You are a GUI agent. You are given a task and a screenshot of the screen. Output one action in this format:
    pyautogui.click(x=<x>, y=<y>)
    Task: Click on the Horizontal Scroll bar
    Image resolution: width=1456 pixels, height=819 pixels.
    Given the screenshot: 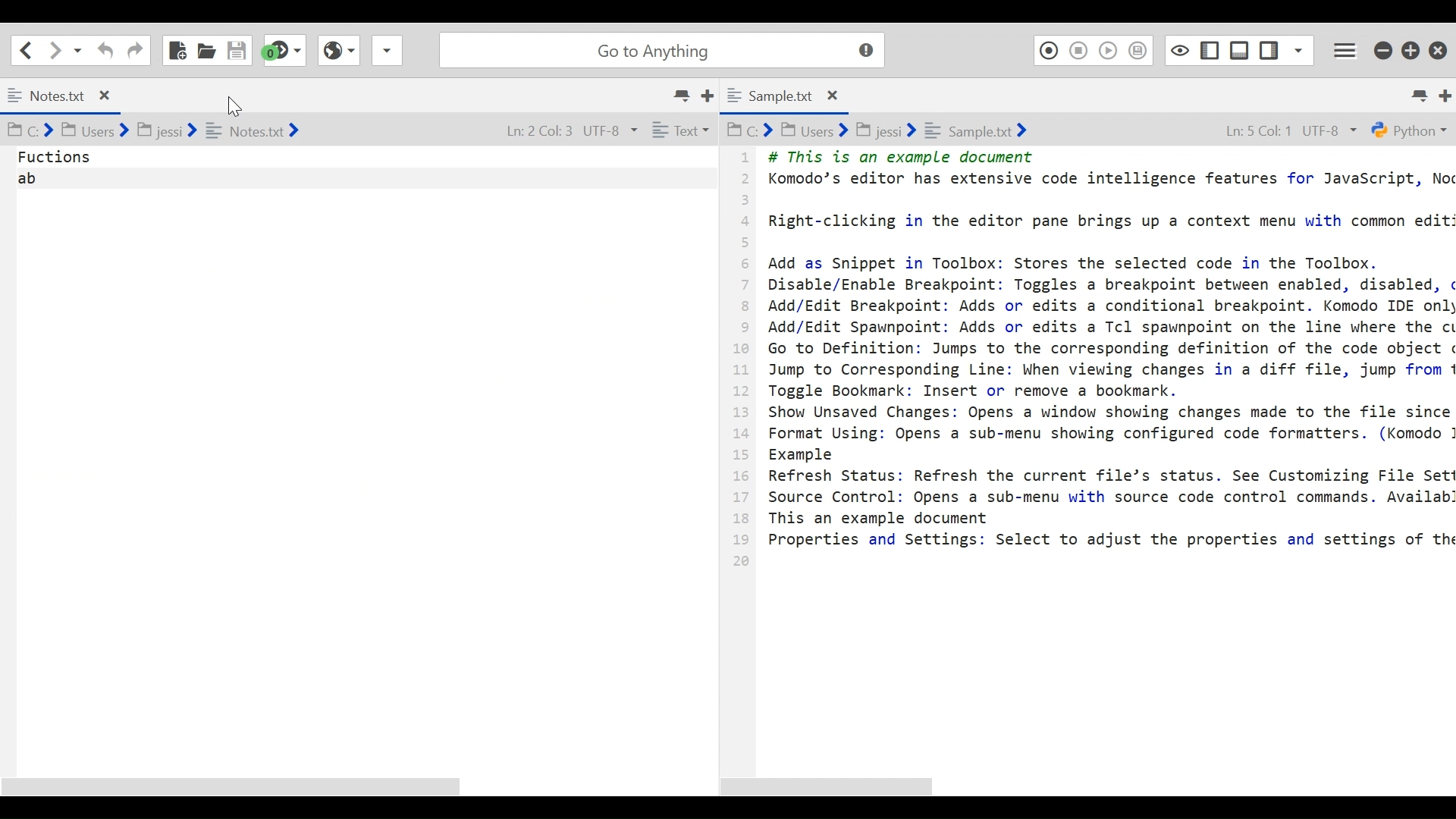 What is the action you would take?
    pyautogui.click(x=836, y=786)
    